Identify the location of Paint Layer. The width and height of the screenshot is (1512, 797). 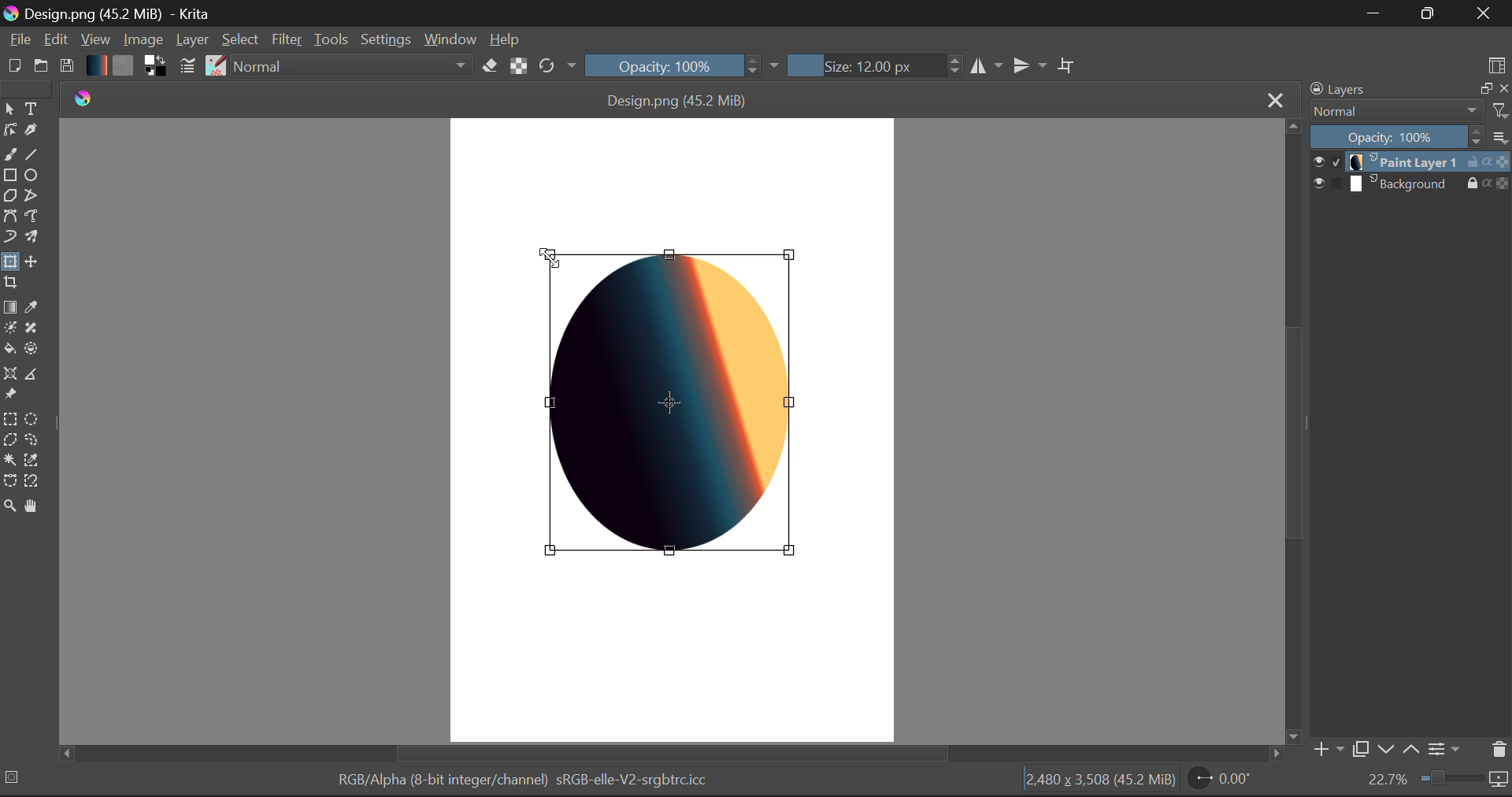
(1411, 162).